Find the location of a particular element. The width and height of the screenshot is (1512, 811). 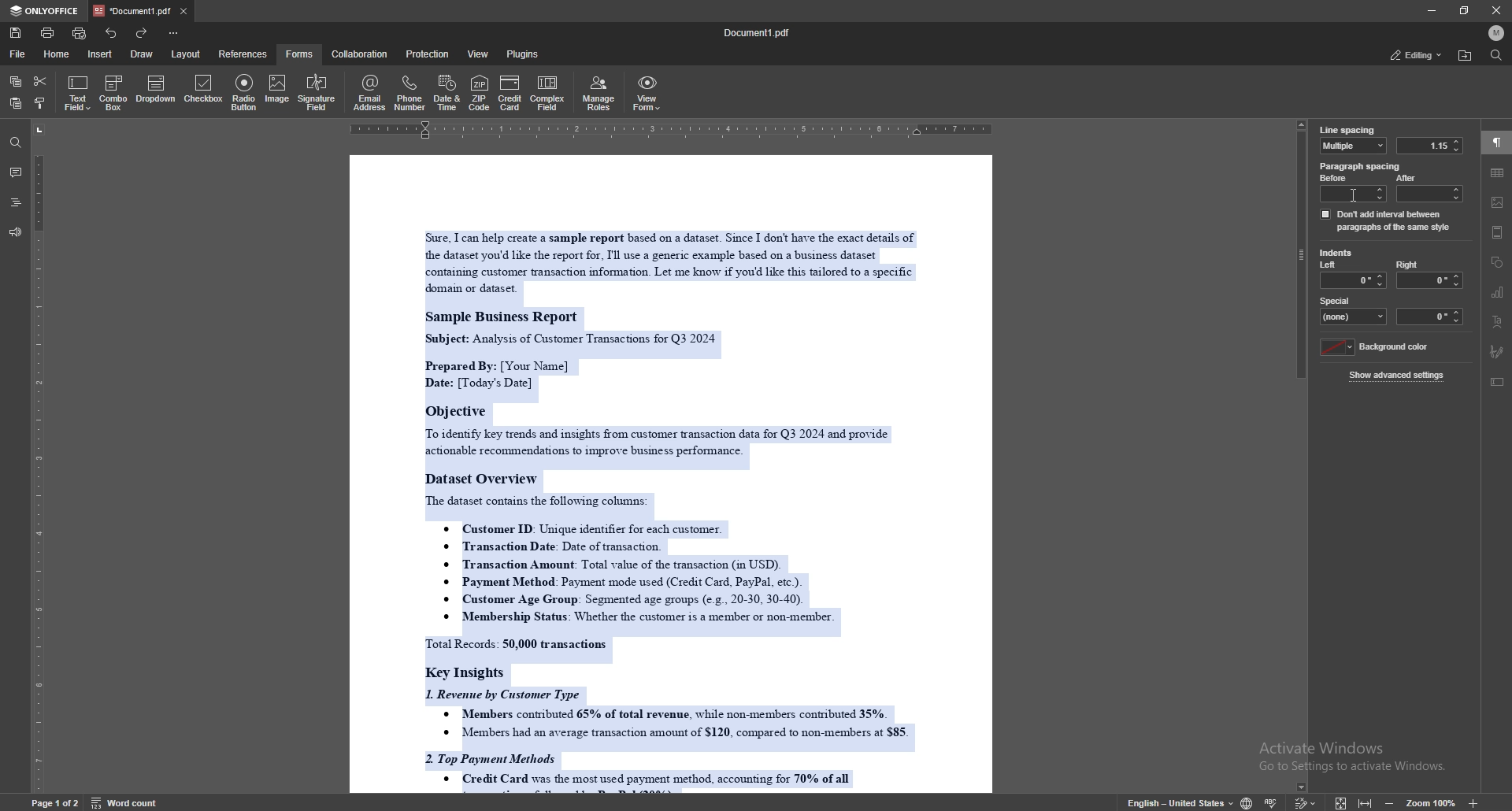

header and footer is located at coordinates (1498, 232).